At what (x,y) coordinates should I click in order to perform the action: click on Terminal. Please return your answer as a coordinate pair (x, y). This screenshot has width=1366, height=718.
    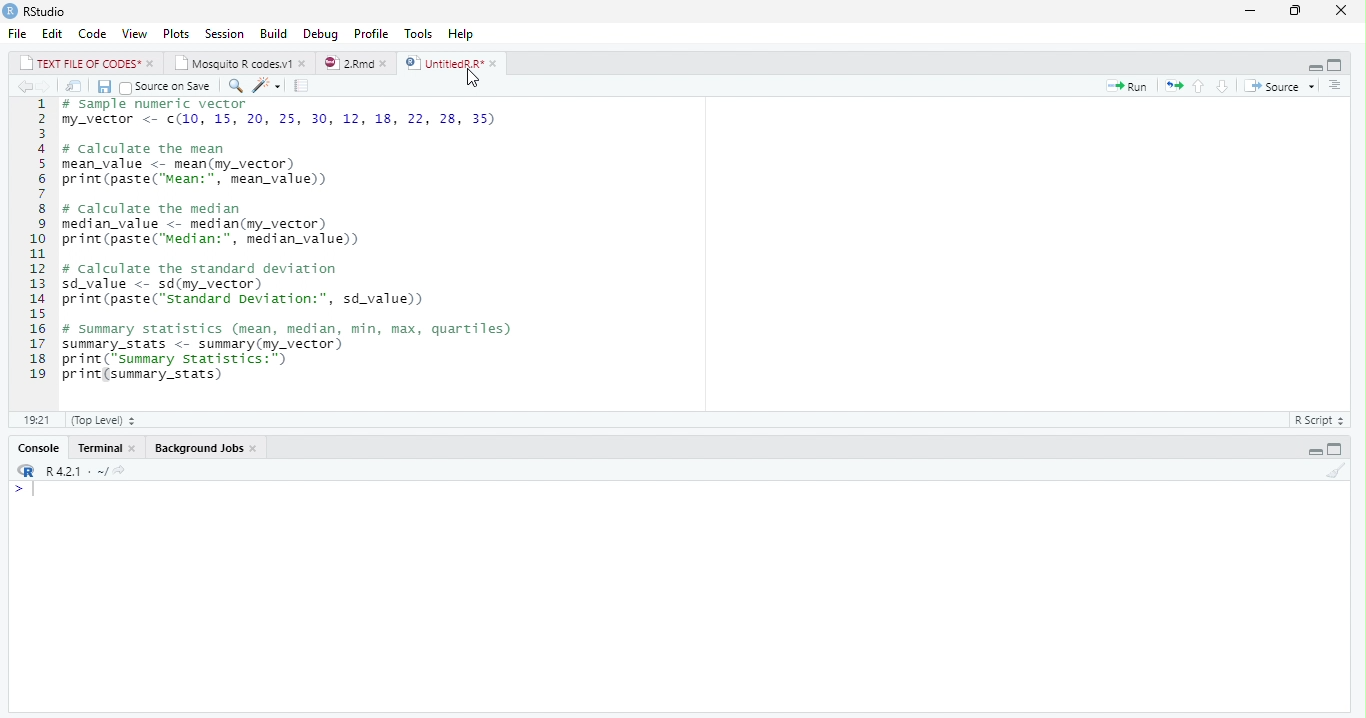
    Looking at the image, I should click on (101, 448).